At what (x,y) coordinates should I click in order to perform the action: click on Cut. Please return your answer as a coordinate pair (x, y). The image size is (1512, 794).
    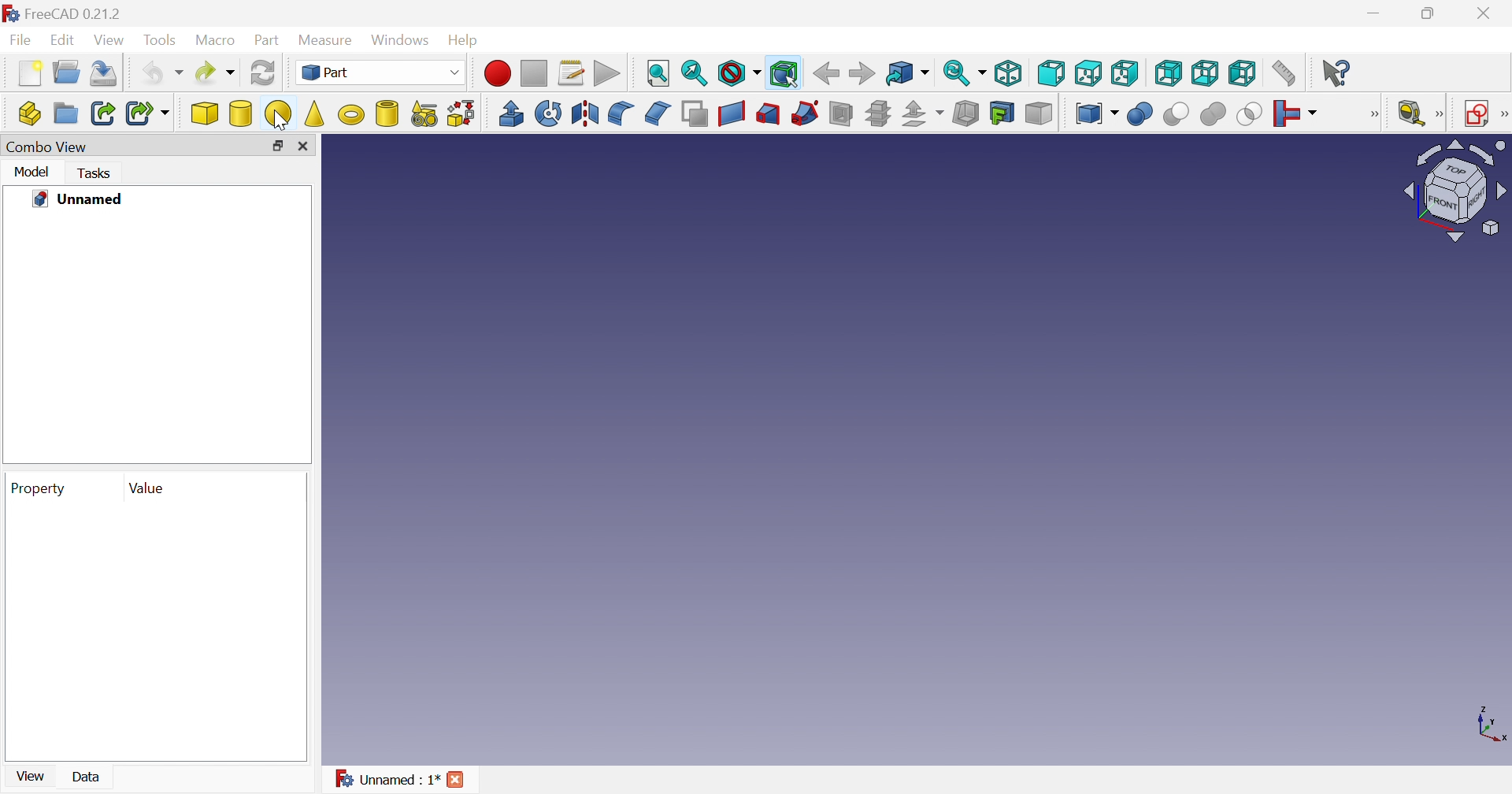
    Looking at the image, I should click on (1176, 114).